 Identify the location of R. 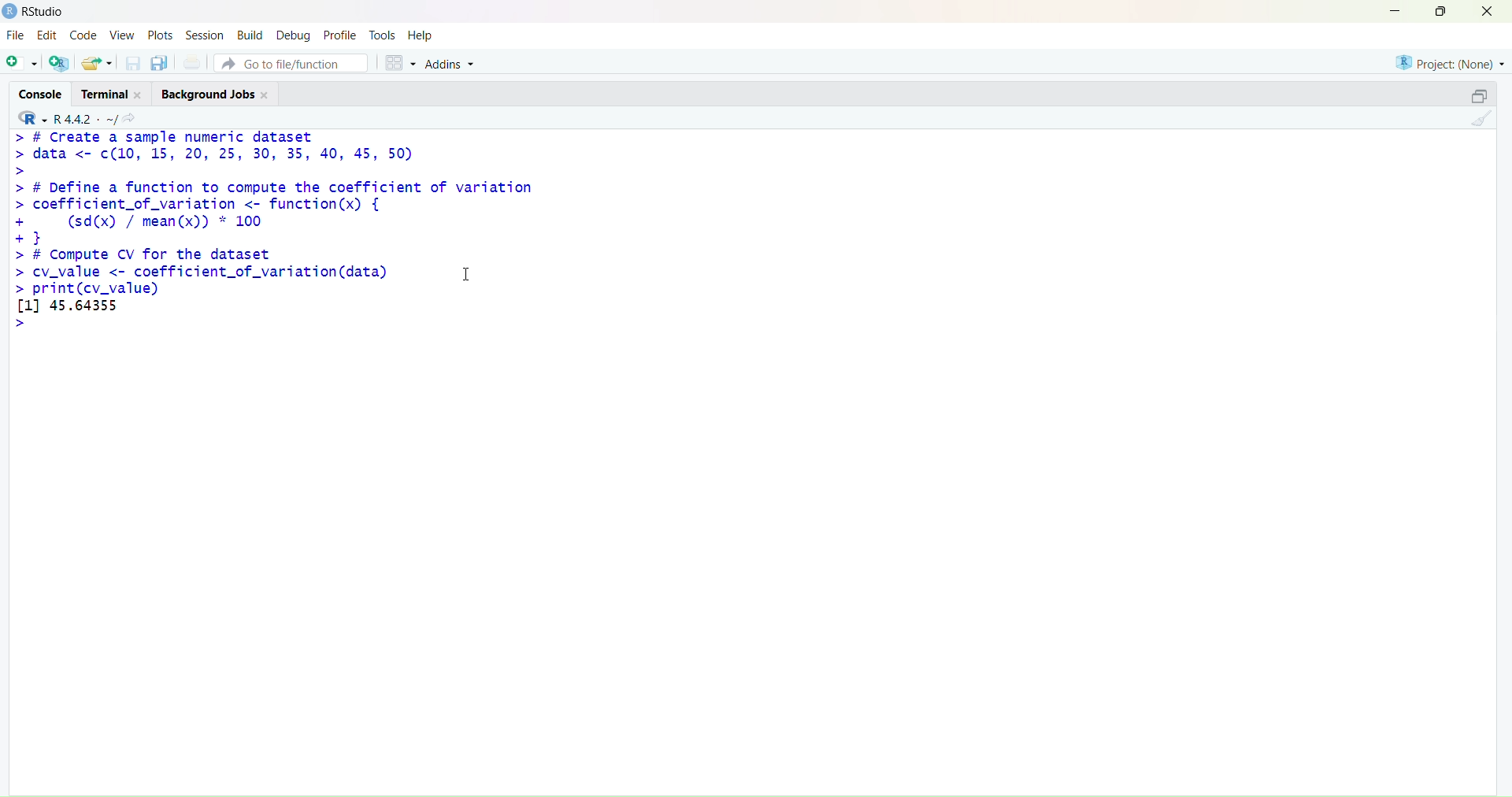
(33, 117).